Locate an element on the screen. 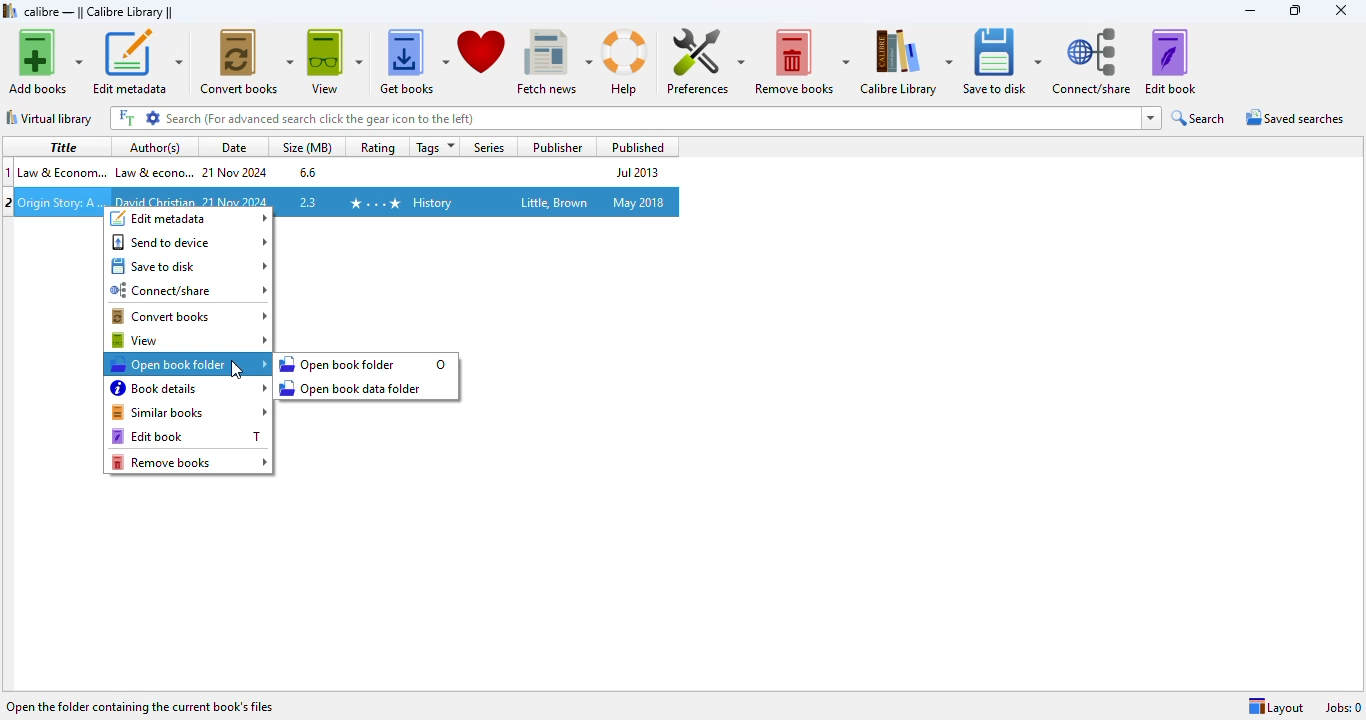  21 nov 2024 is located at coordinates (236, 172).